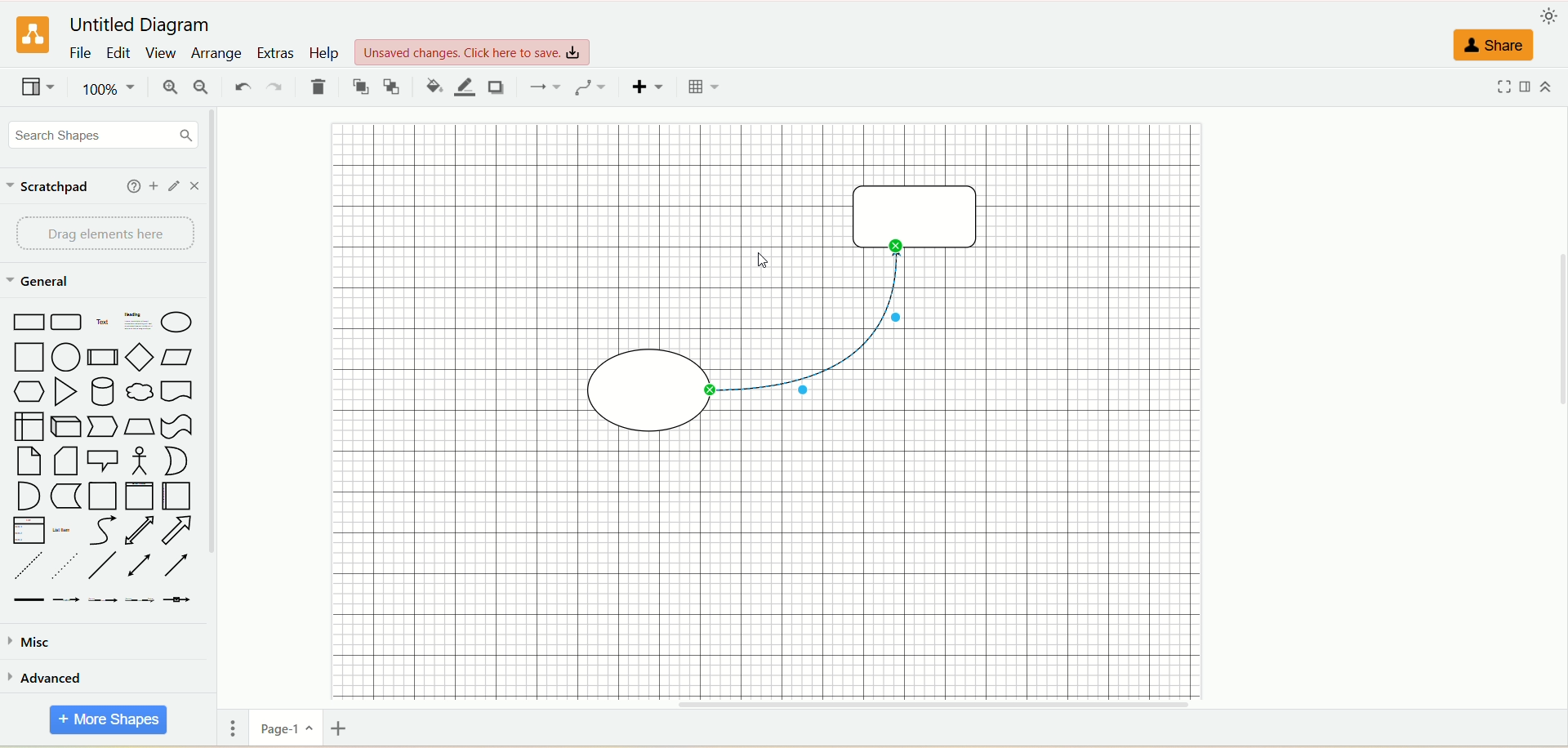 The height and width of the screenshot is (748, 1568). Describe the element at coordinates (320, 88) in the screenshot. I see `delete` at that location.